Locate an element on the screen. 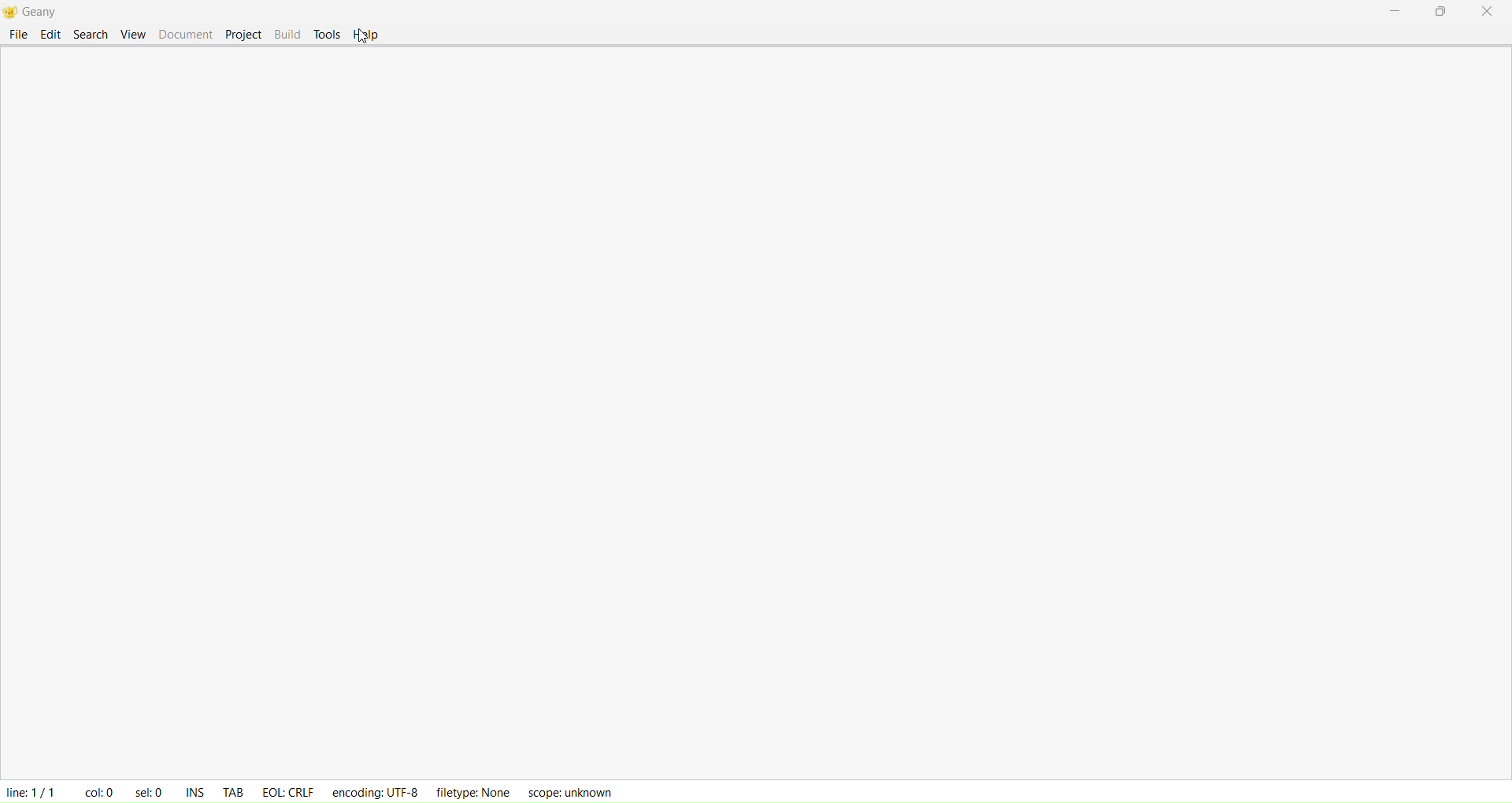  minimize is located at coordinates (1394, 11).